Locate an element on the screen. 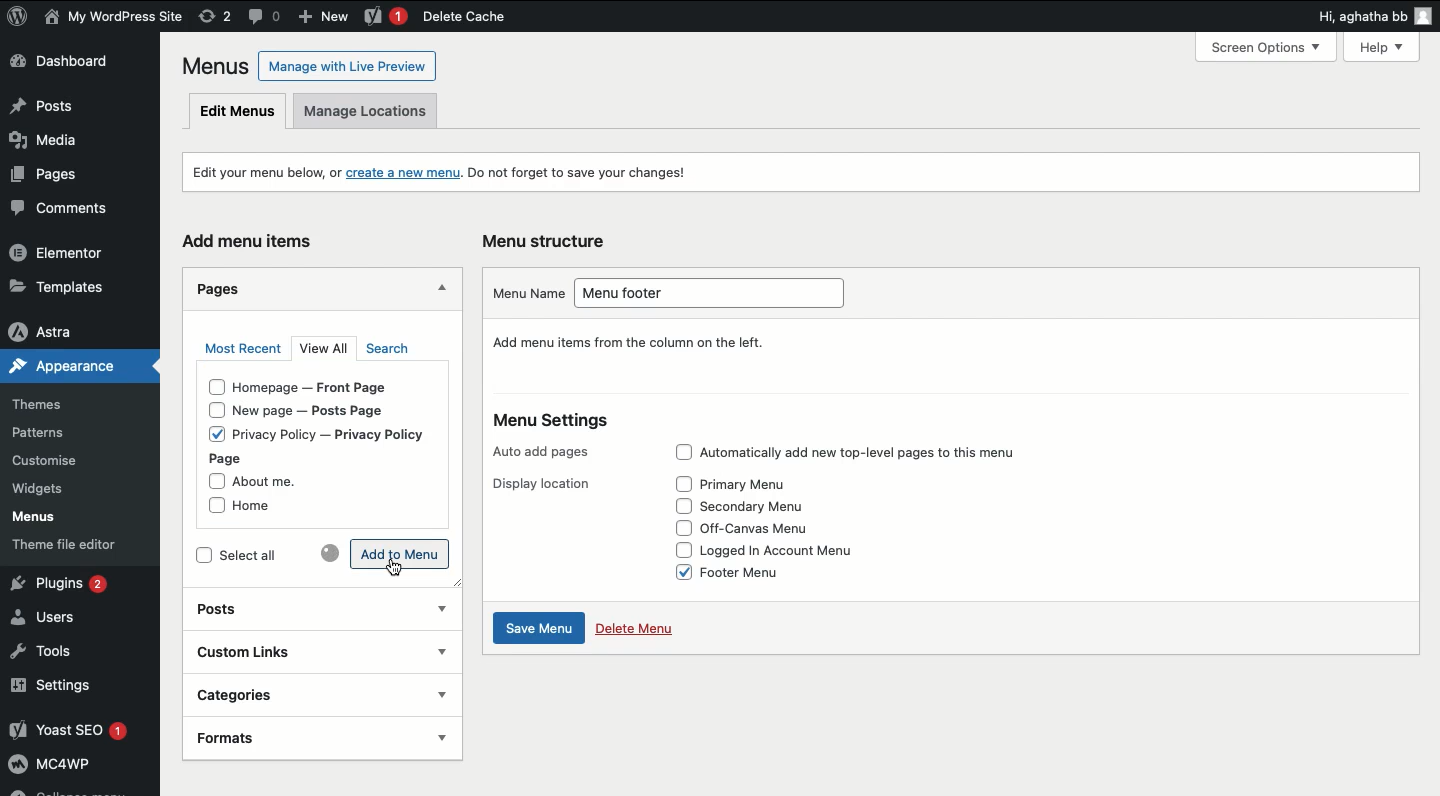 The width and height of the screenshot is (1440, 796). Manage with Live Preview is located at coordinates (347, 65).